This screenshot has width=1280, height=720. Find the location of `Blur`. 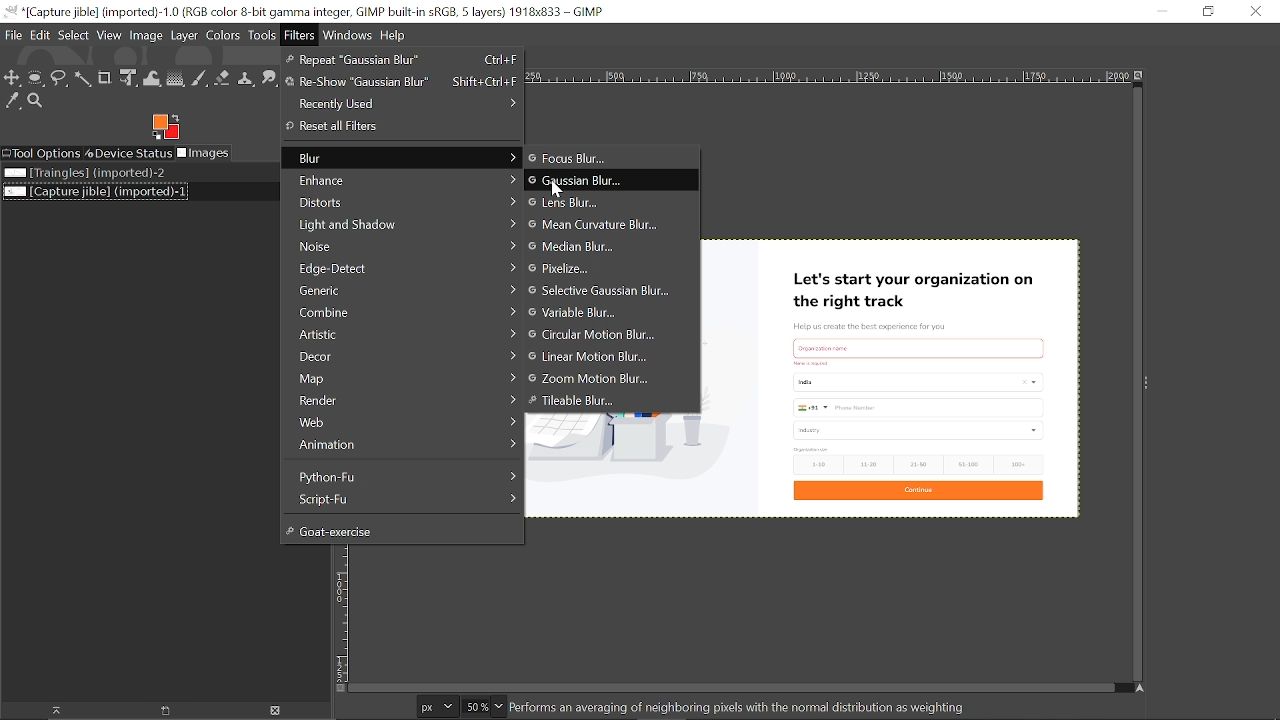

Blur is located at coordinates (401, 158).